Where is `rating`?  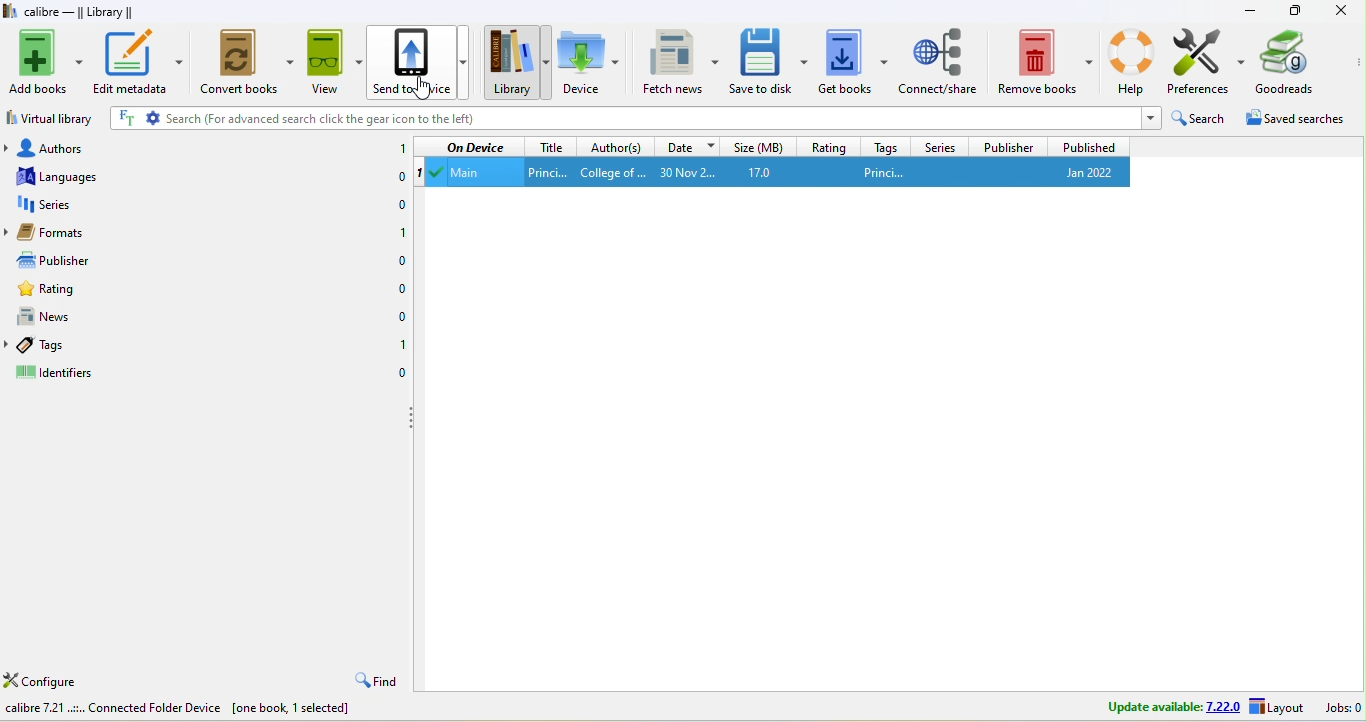
rating is located at coordinates (832, 146).